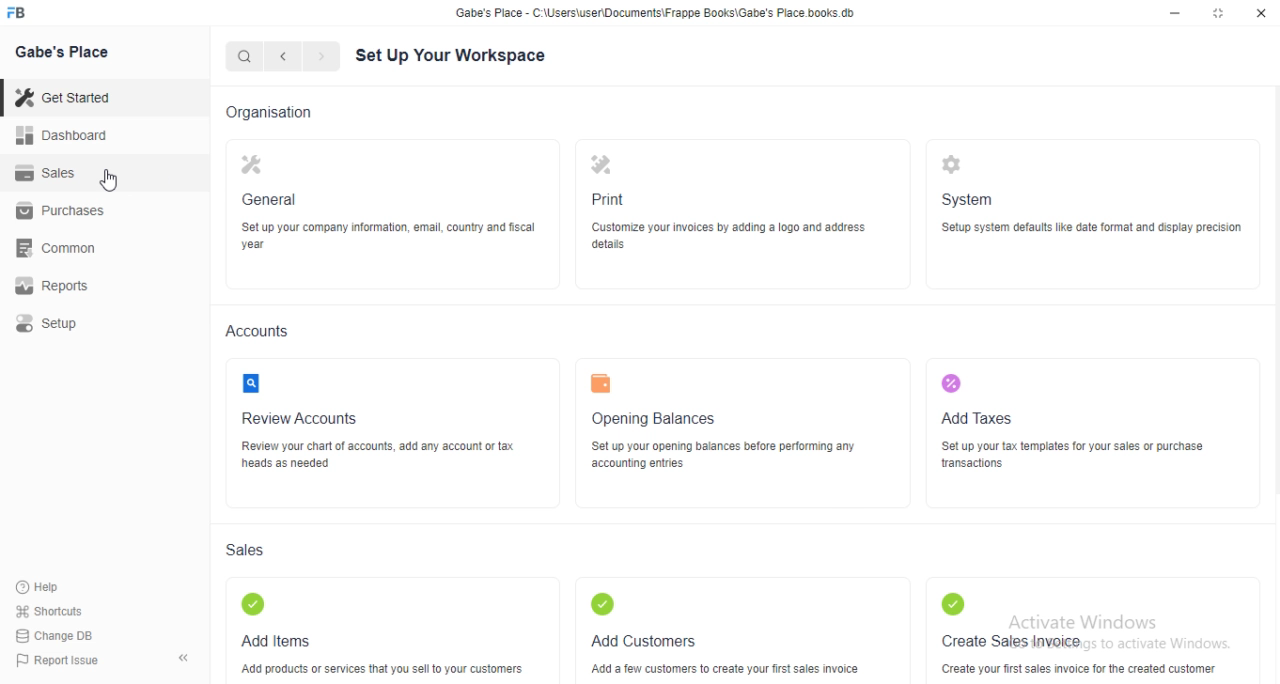 Image resolution: width=1280 pixels, height=684 pixels. Describe the element at coordinates (602, 165) in the screenshot. I see `print icon` at that location.